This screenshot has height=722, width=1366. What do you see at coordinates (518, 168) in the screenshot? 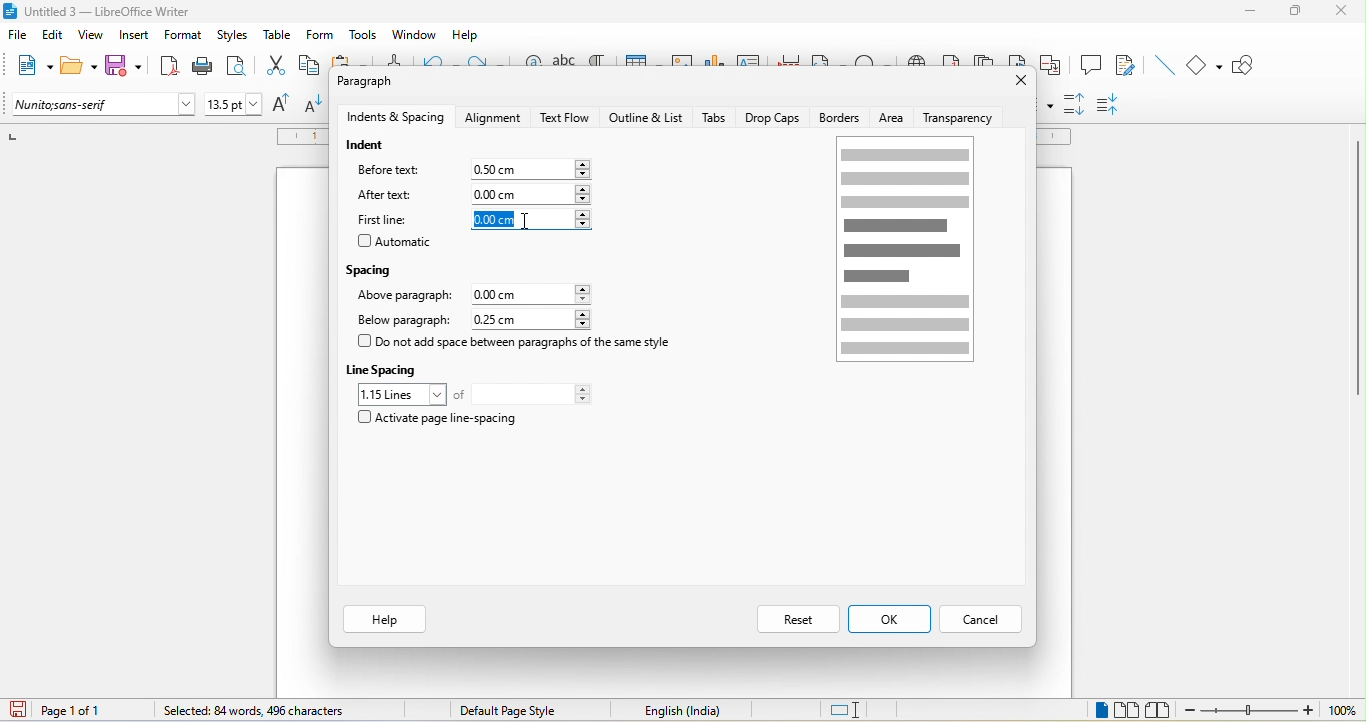
I see `0.00 cm` at bounding box center [518, 168].